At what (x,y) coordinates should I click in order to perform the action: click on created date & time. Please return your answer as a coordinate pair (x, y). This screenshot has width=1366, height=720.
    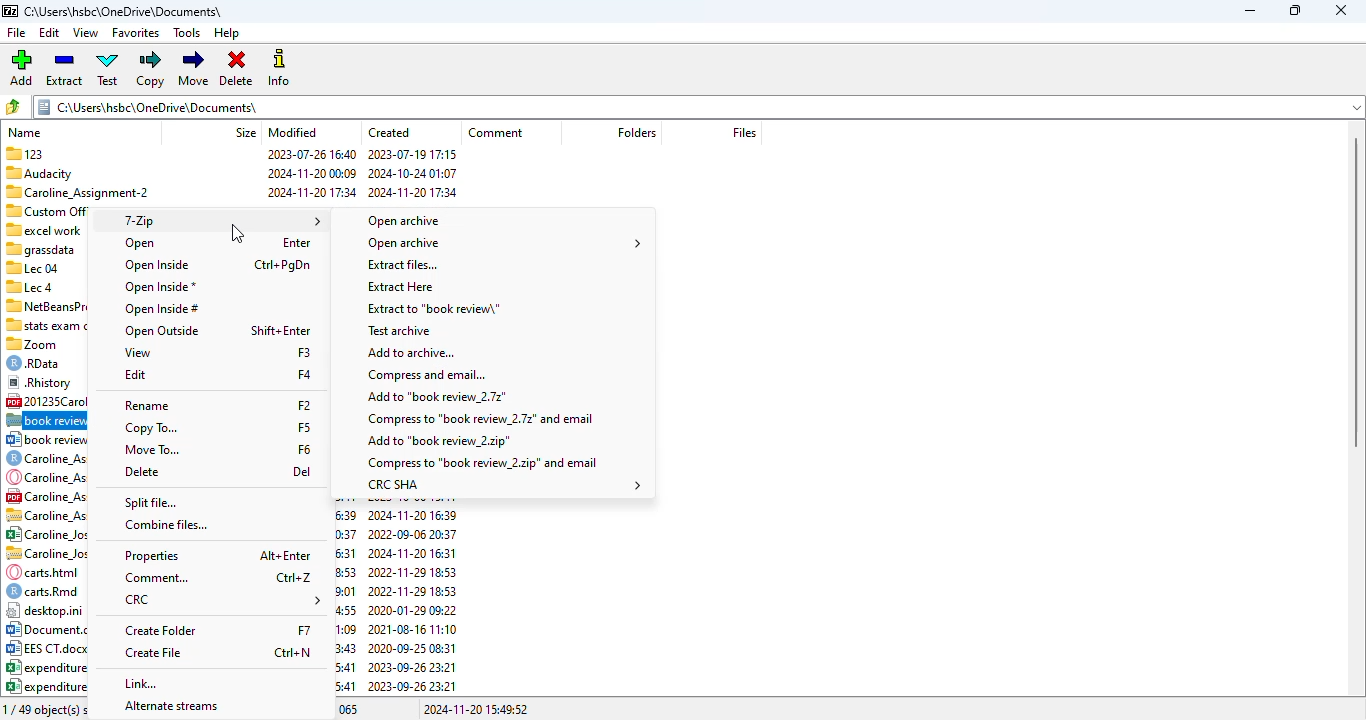
    Looking at the image, I should click on (413, 176).